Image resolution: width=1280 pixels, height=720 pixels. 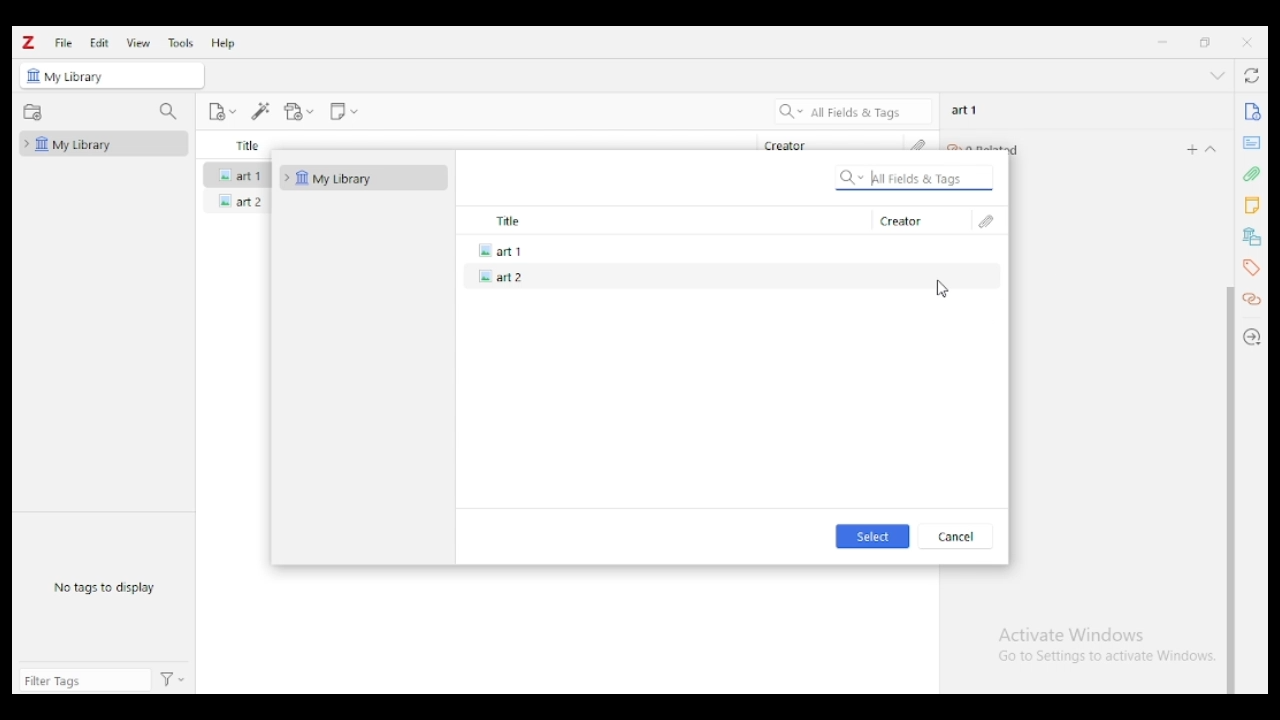 What do you see at coordinates (262, 112) in the screenshot?
I see `add item(s) by identifier` at bounding box center [262, 112].